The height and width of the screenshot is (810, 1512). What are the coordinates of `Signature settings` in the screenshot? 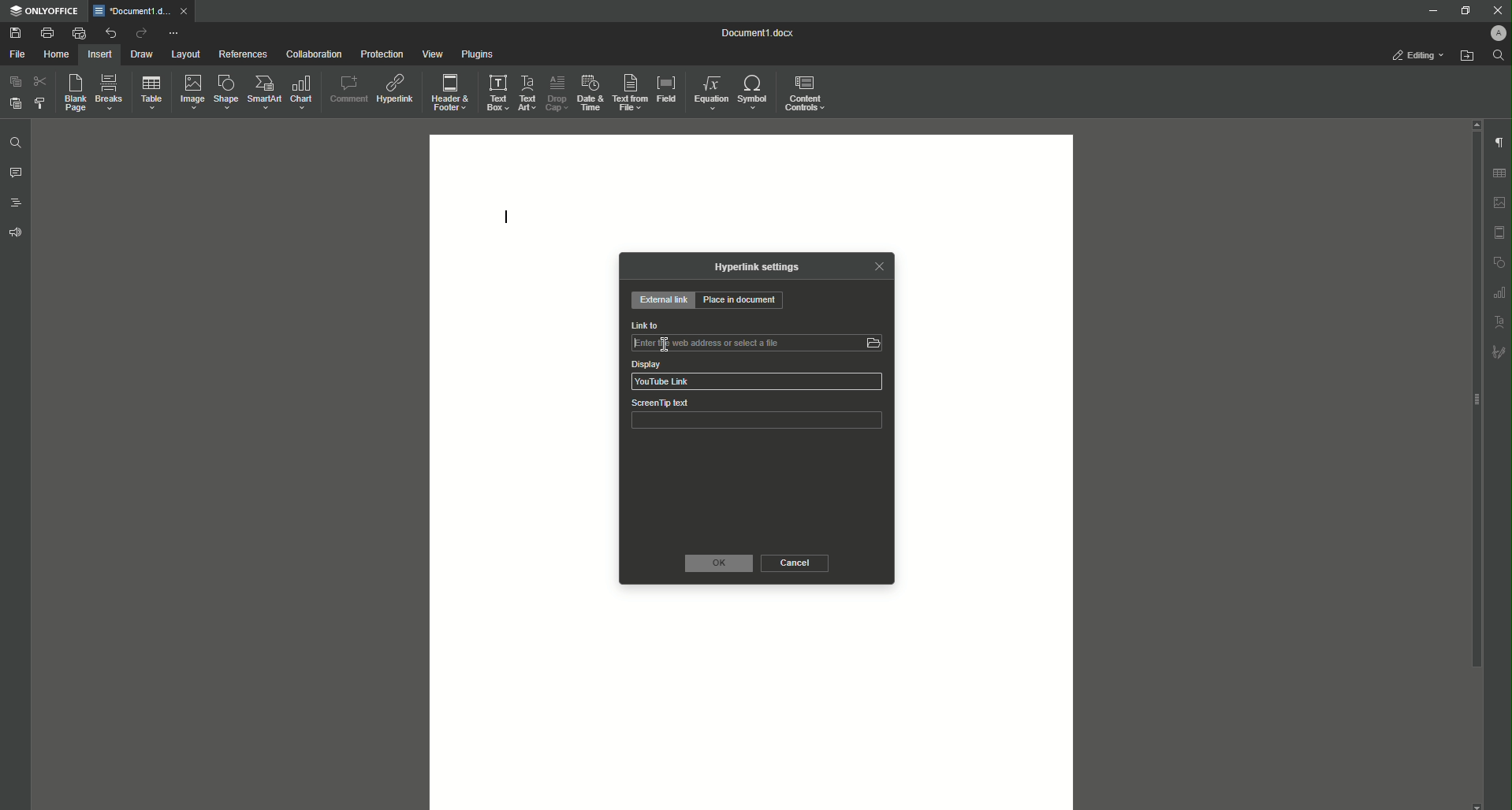 It's located at (1501, 351).